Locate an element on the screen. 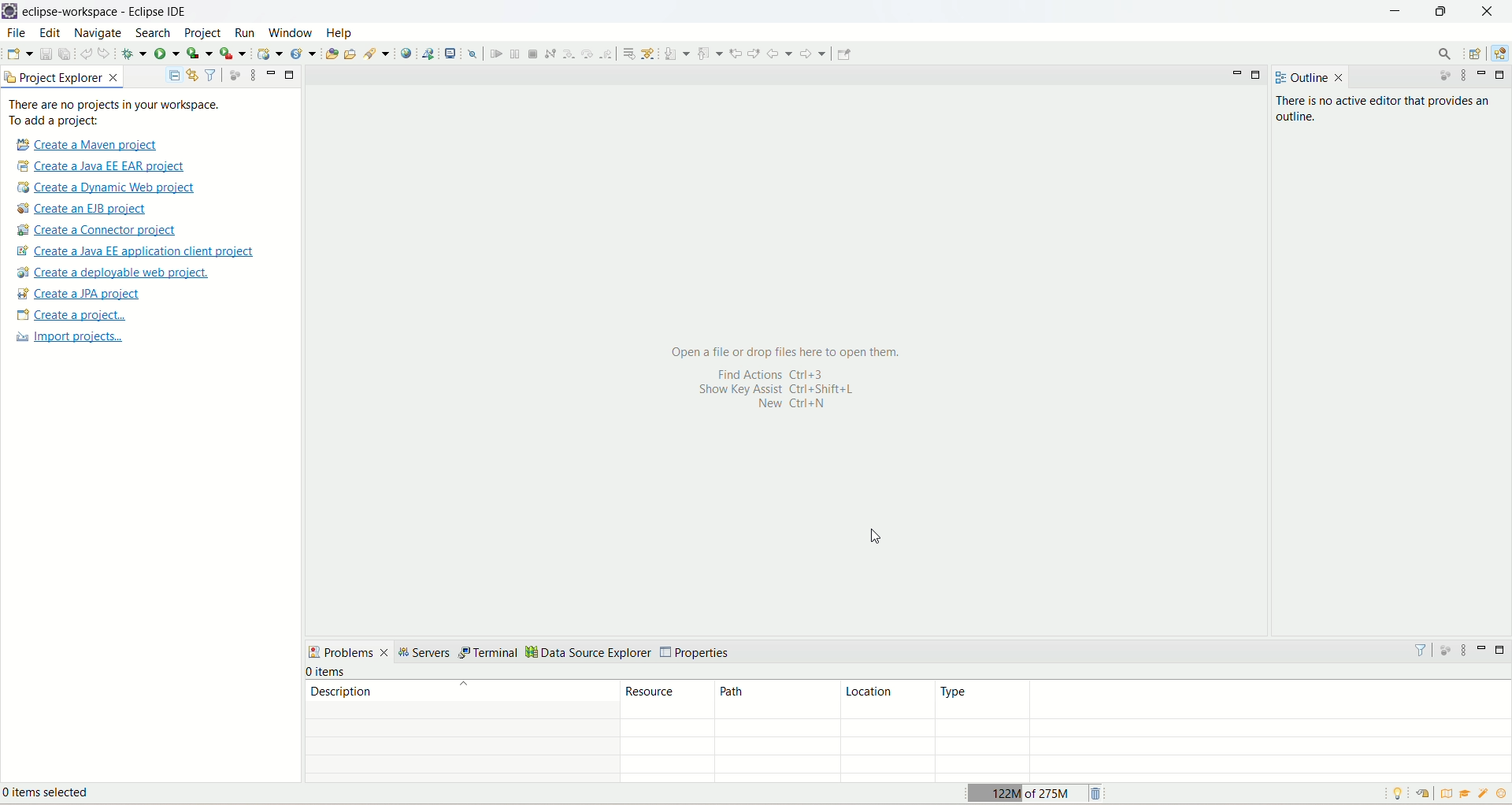 This screenshot has height=805, width=1512. open task is located at coordinates (353, 55).